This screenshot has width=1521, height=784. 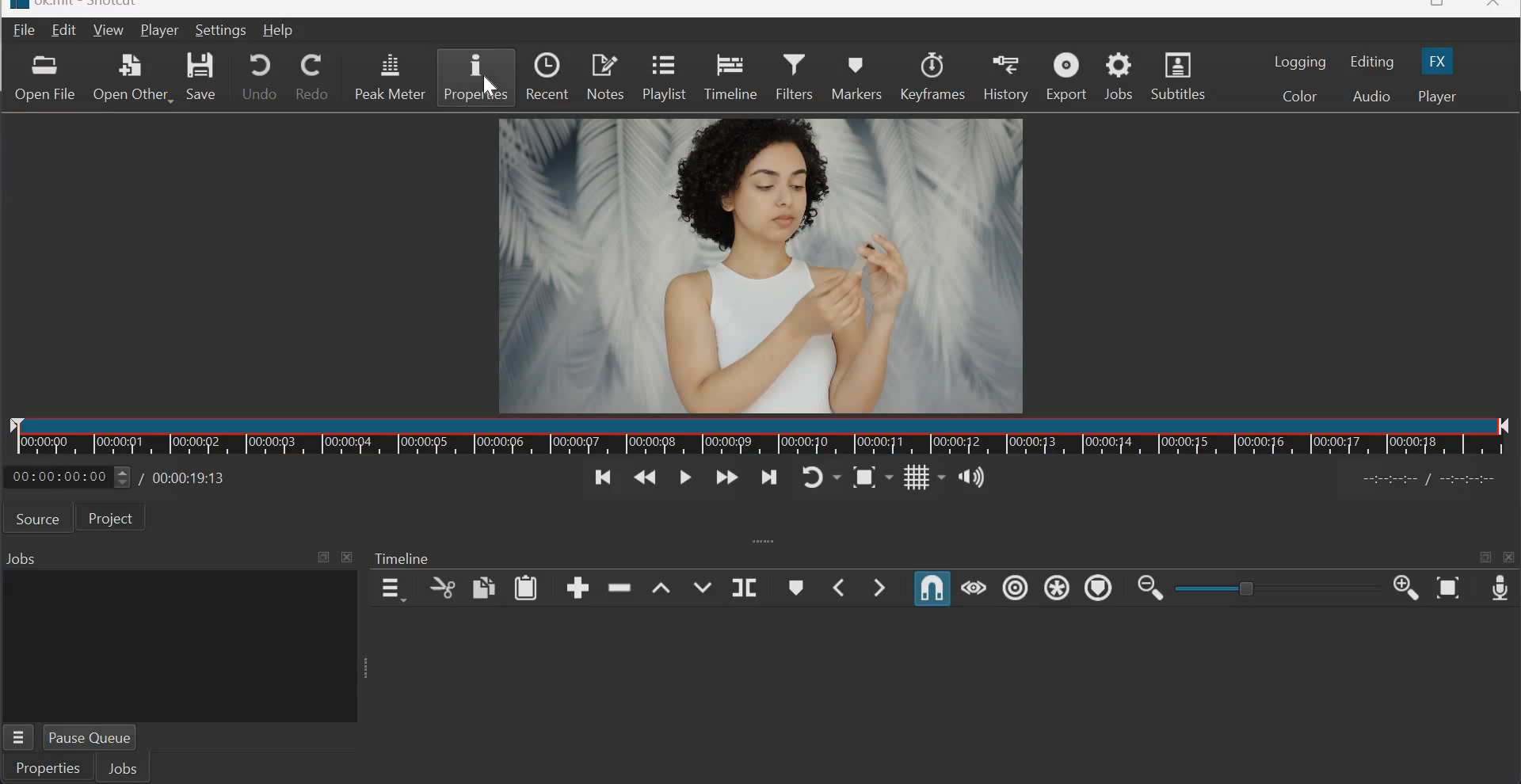 What do you see at coordinates (68, 477) in the screenshot?
I see `current position` at bounding box center [68, 477].